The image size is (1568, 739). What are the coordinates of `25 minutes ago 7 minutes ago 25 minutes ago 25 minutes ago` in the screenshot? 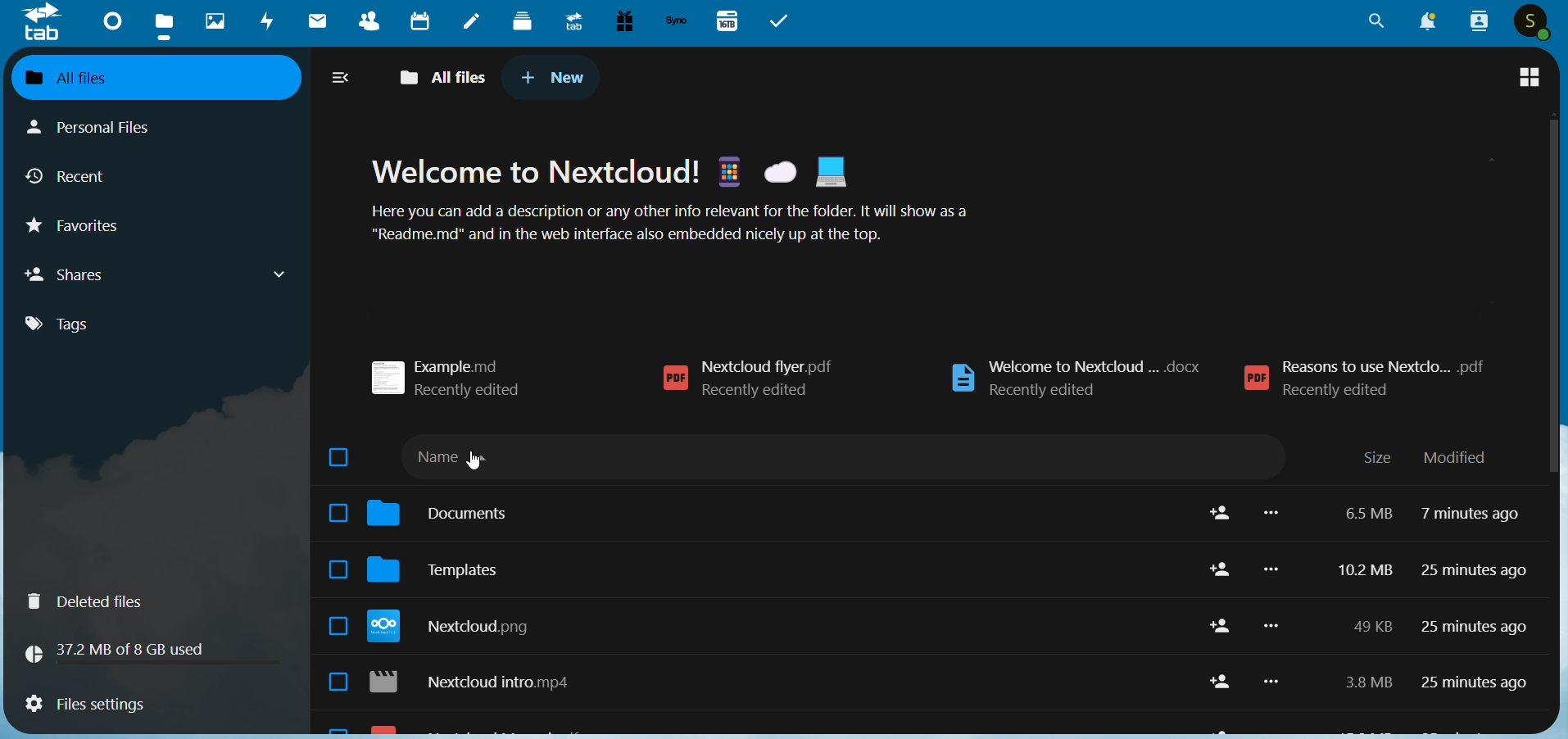 It's located at (1475, 606).